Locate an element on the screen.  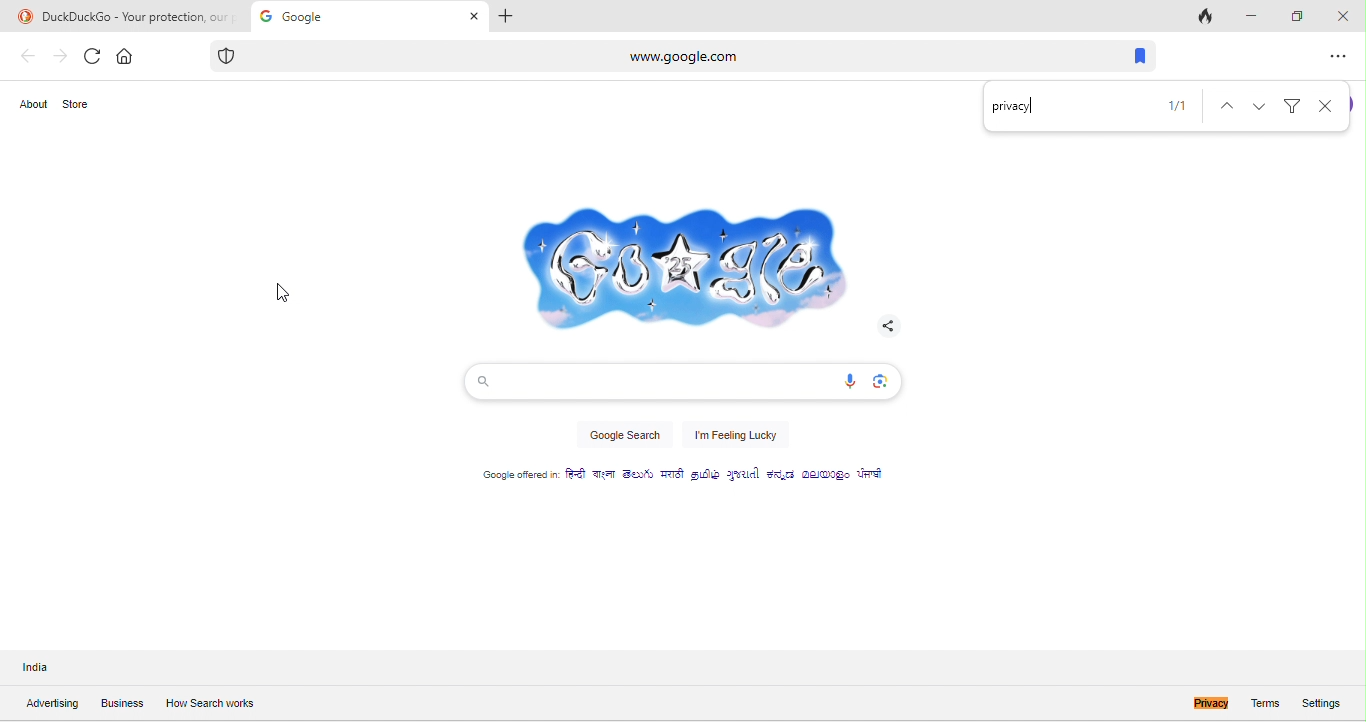
close is located at coordinates (1328, 106).